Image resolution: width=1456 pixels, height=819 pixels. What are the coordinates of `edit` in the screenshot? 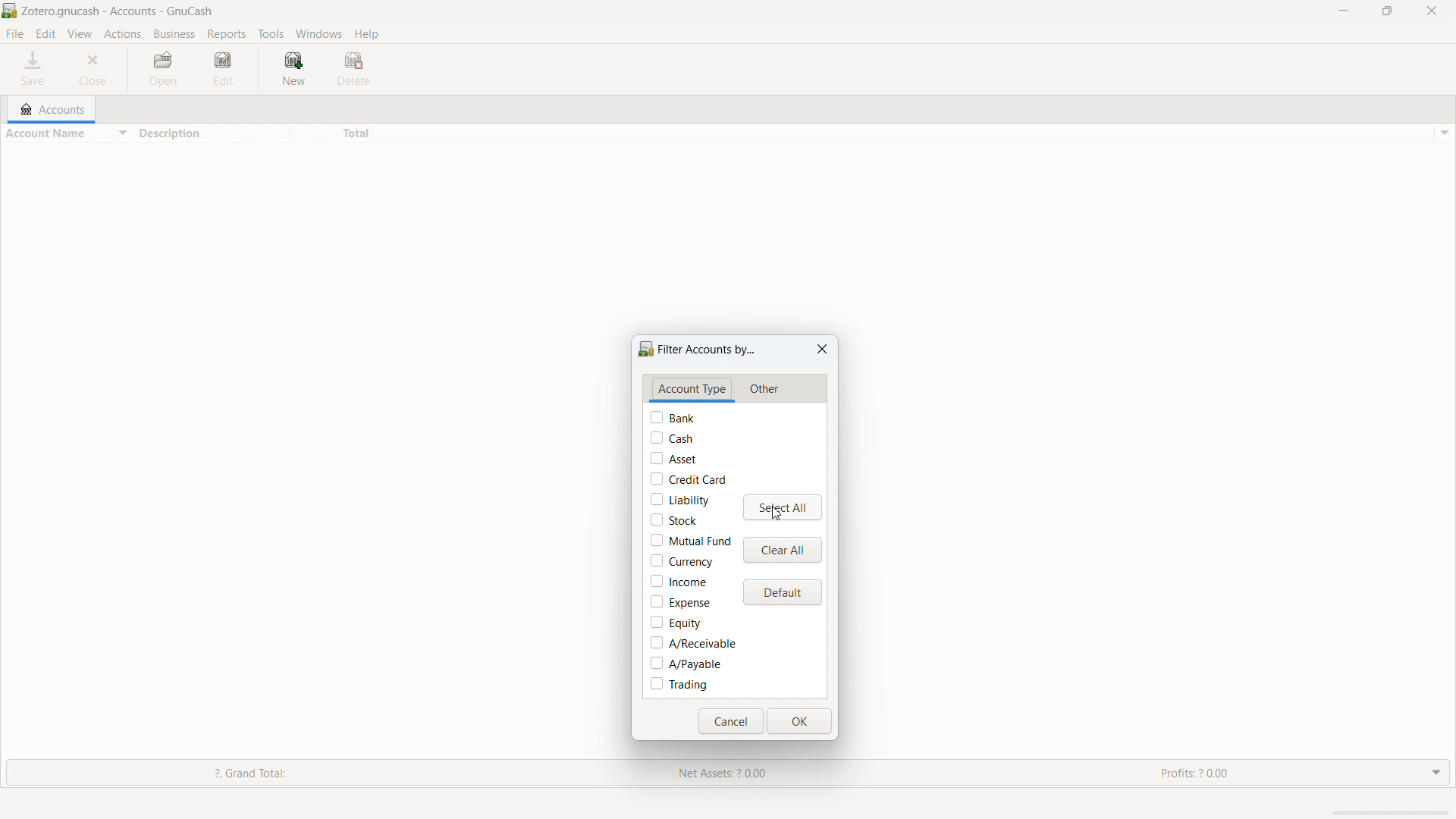 It's located at (225, 68).